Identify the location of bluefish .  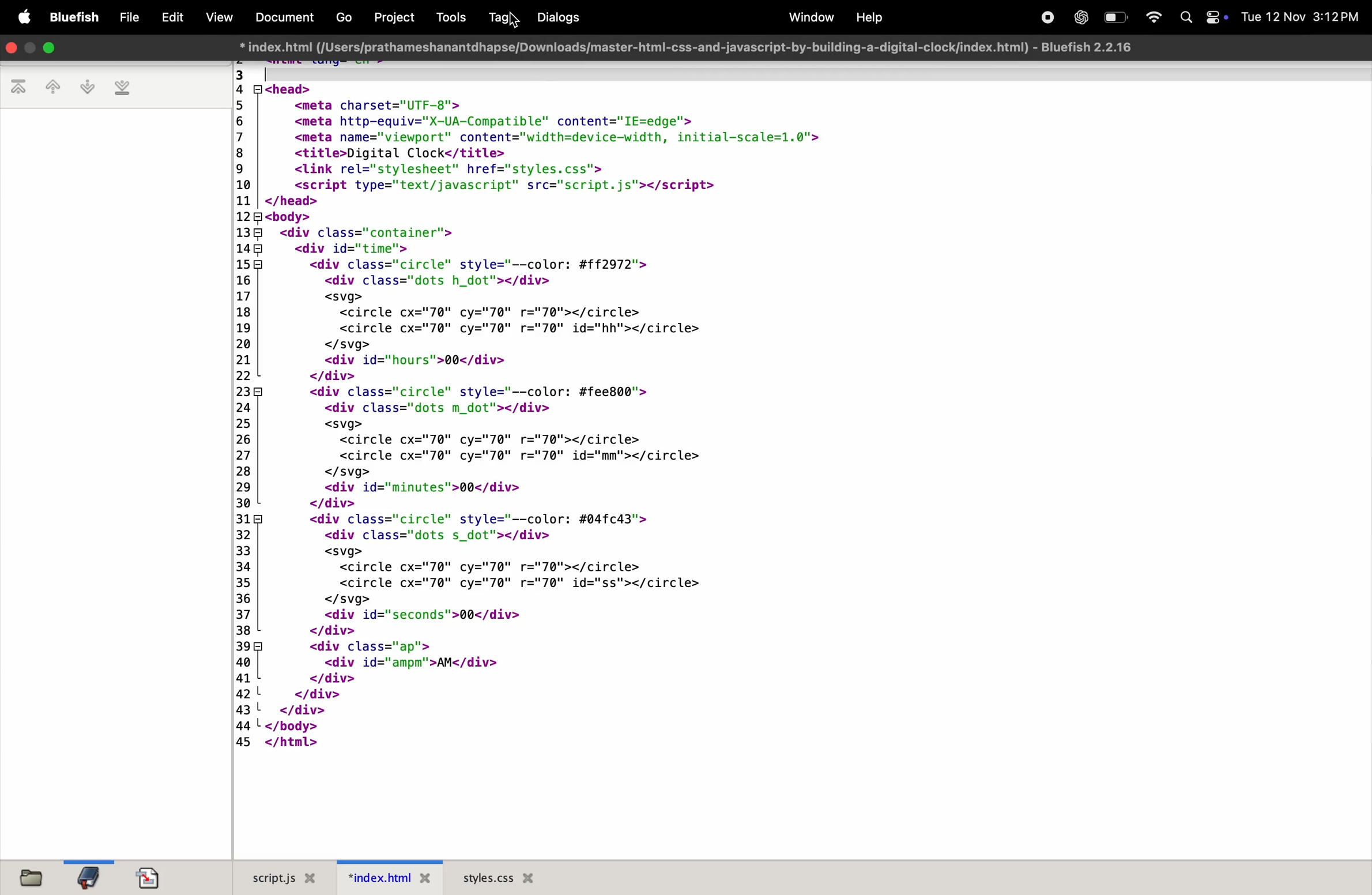
(75, 18).